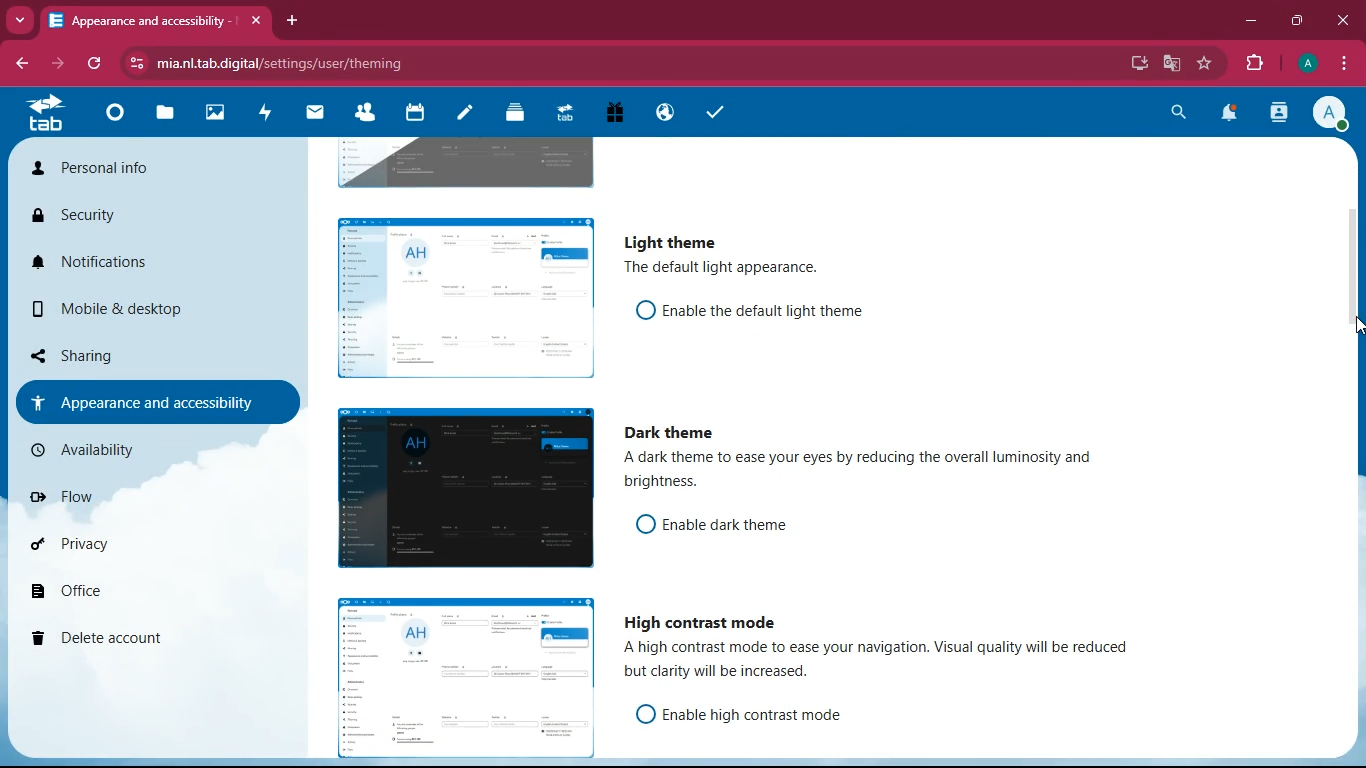 Image resolution: width=1366 pixels, height=768 pixels. I want to click on privacy, so click(117, 551).